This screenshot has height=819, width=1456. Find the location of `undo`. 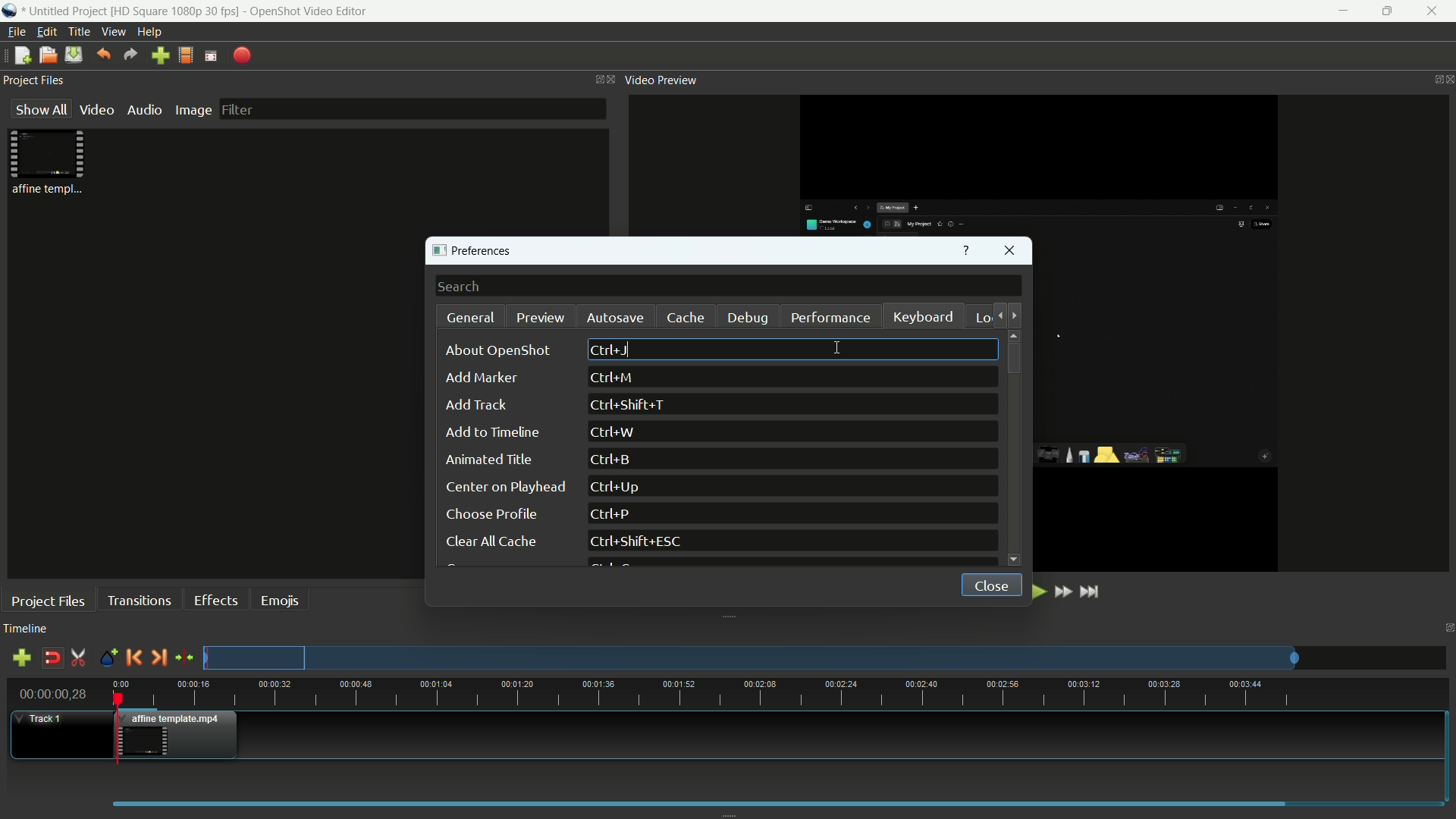

undo is located at coordinates (103, 54).